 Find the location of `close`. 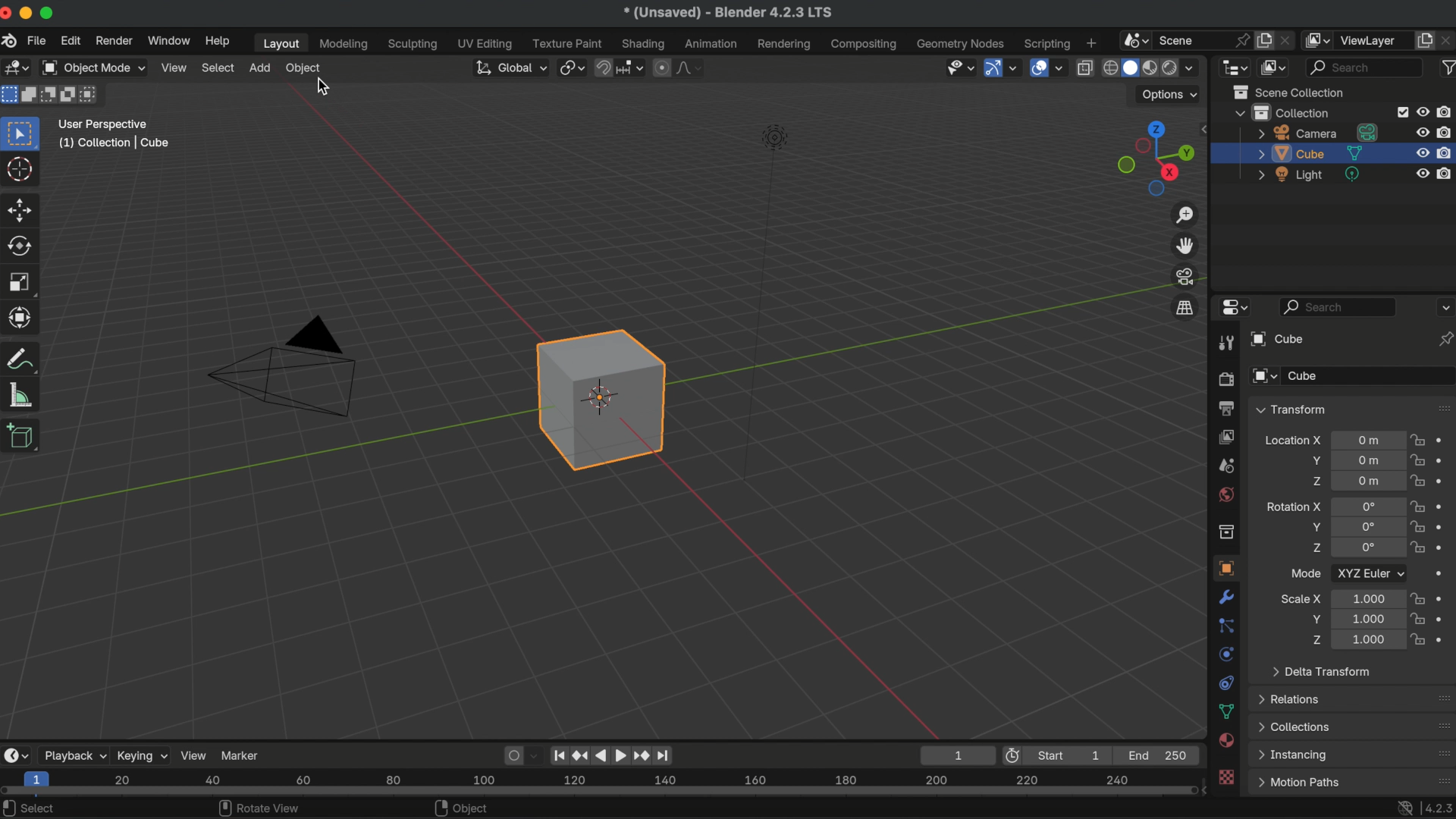

close is located at coordinates (9, 14).